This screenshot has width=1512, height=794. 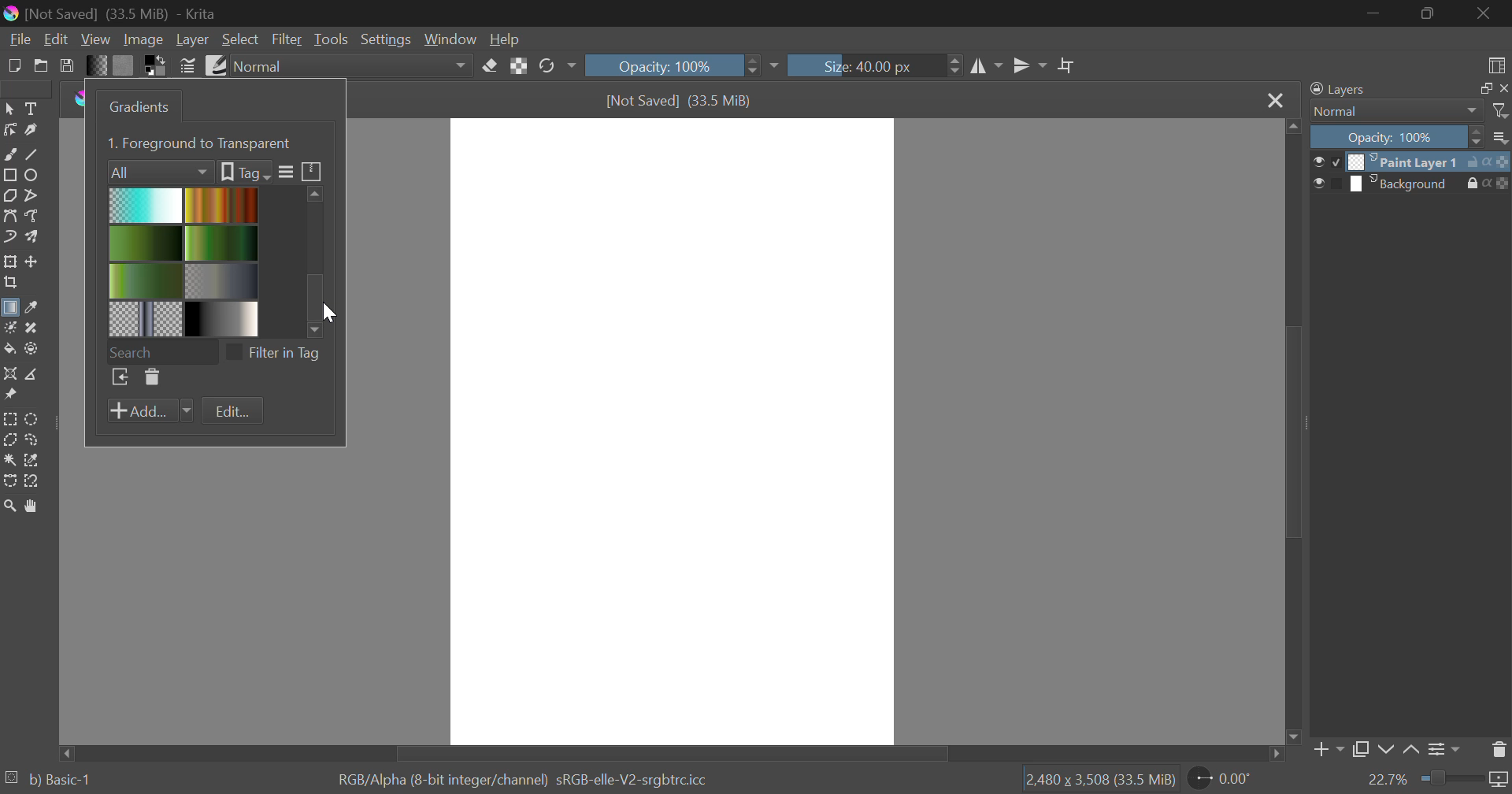 What do you see at coordinates (156, 65) in the screenshot?
I see `Colors in use` at bounding box center [156, 65].